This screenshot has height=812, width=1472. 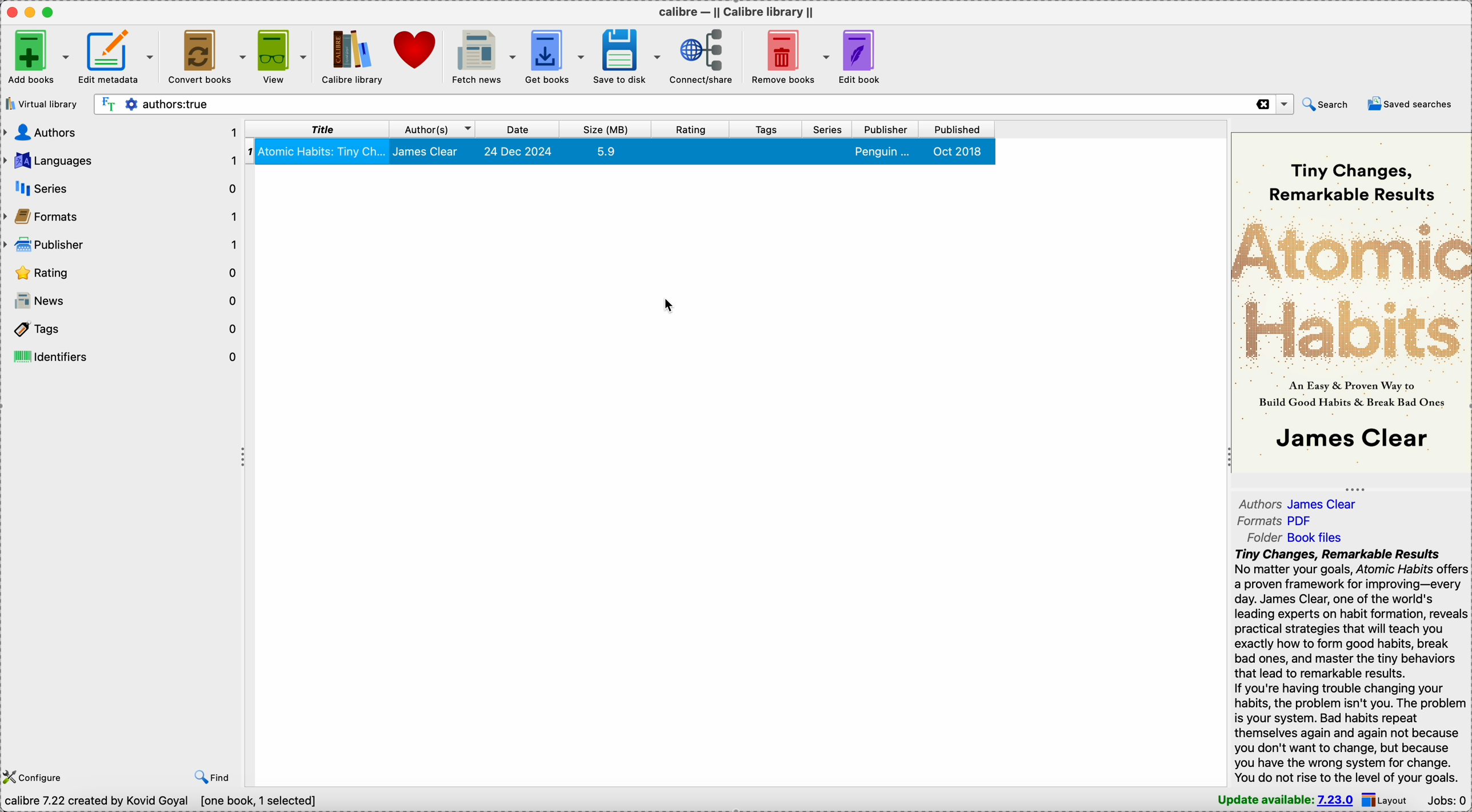 I want to click on identifiers, so click(x=123, y=354).